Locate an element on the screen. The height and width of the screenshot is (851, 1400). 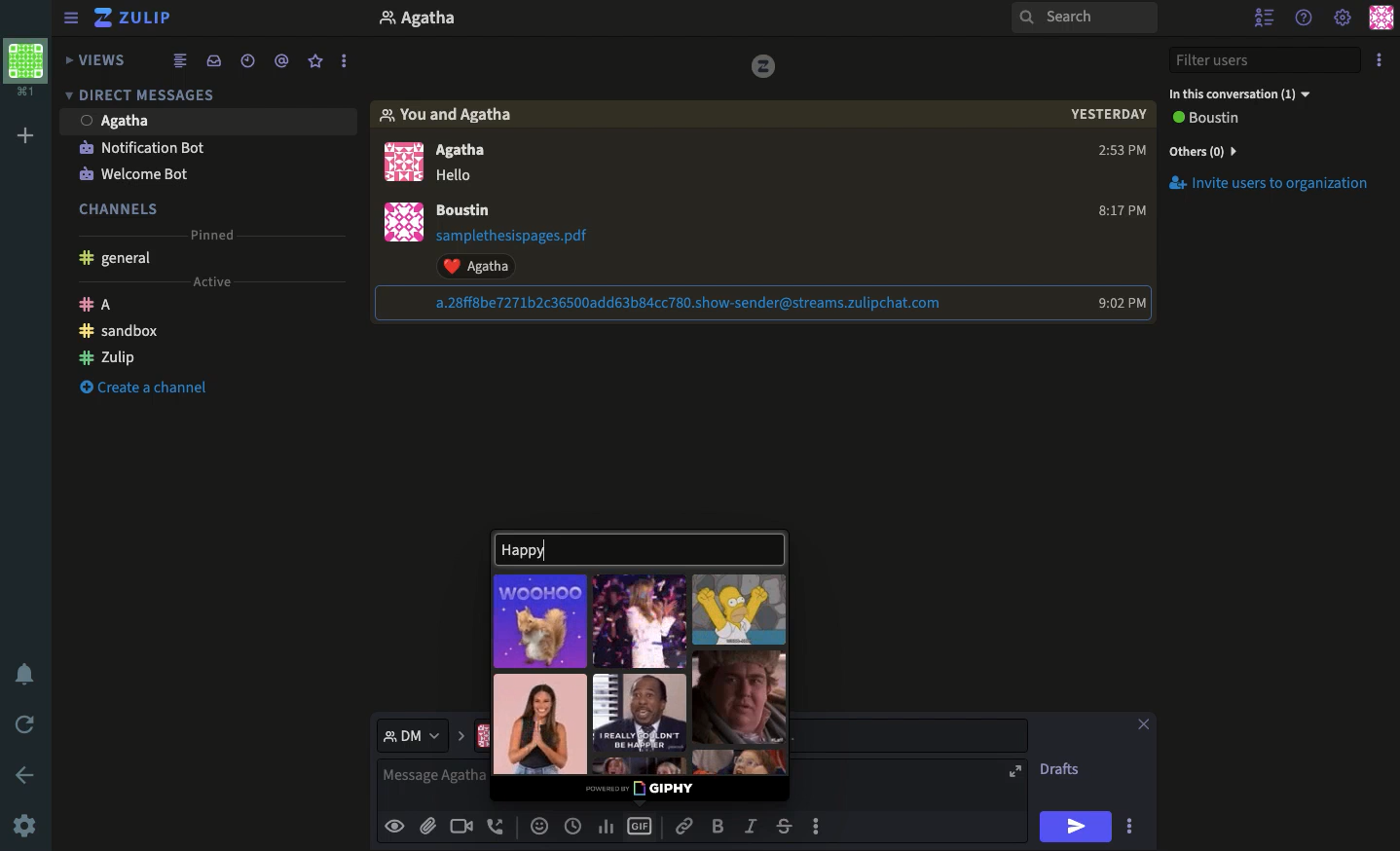
Preview is located at coordinates (397, 827).